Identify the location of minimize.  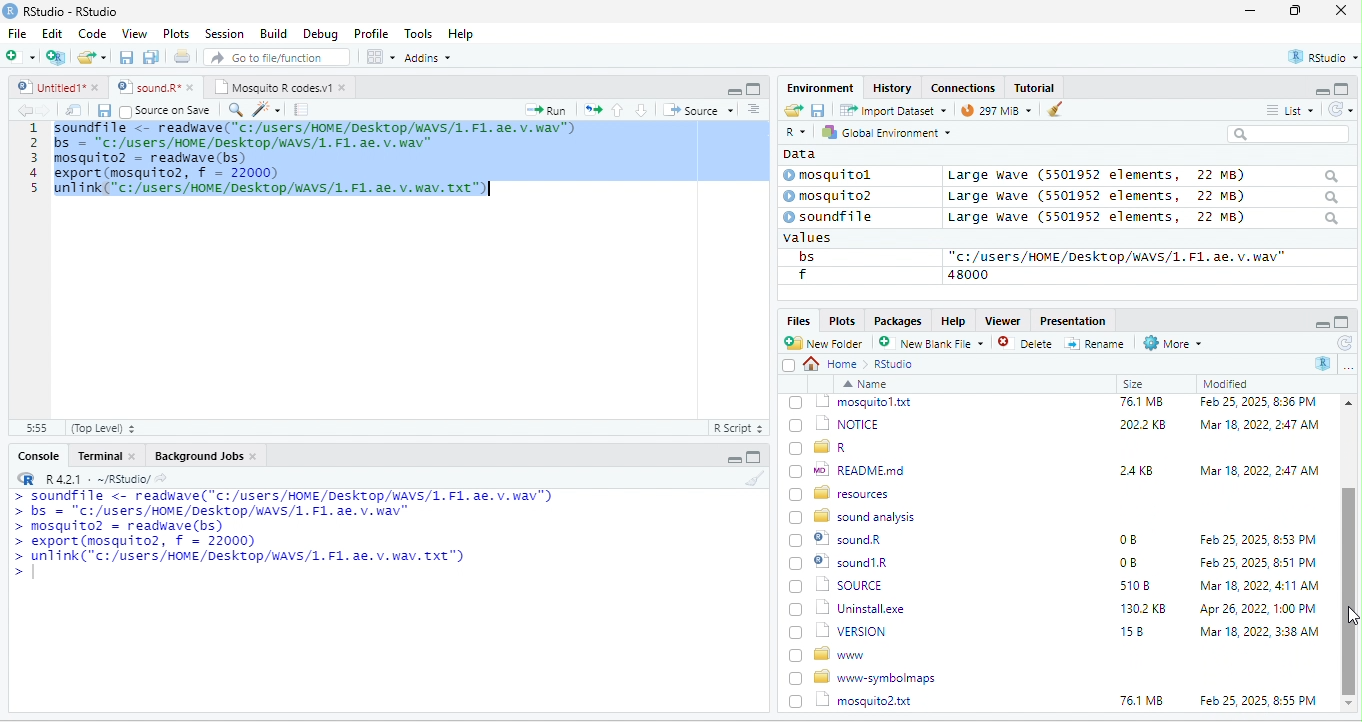
(1320, 323).